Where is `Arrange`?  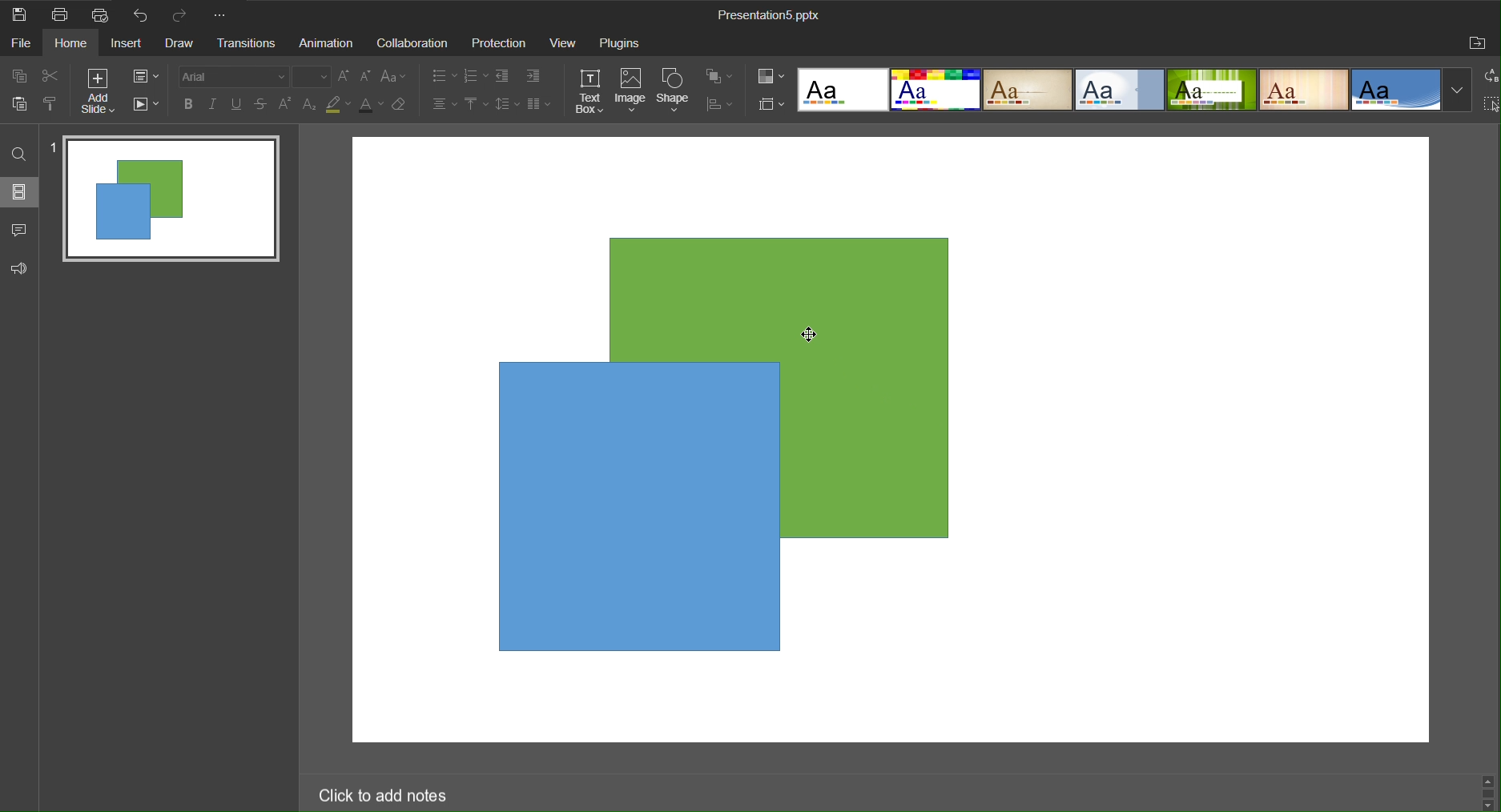
Arrange is located at coordinates (721, 76).